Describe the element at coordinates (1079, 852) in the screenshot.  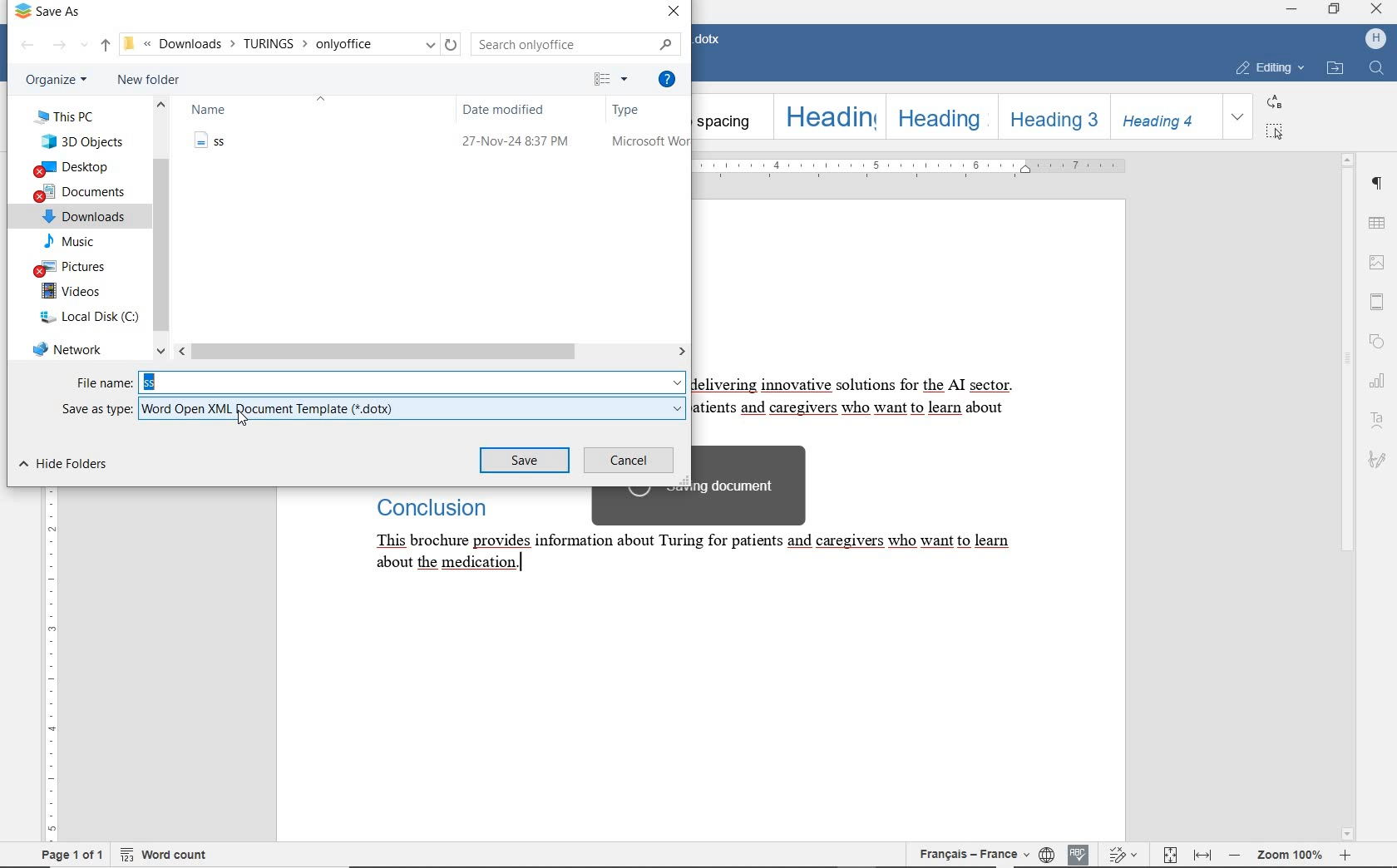
I see `SPELL CHECKING` at that location.